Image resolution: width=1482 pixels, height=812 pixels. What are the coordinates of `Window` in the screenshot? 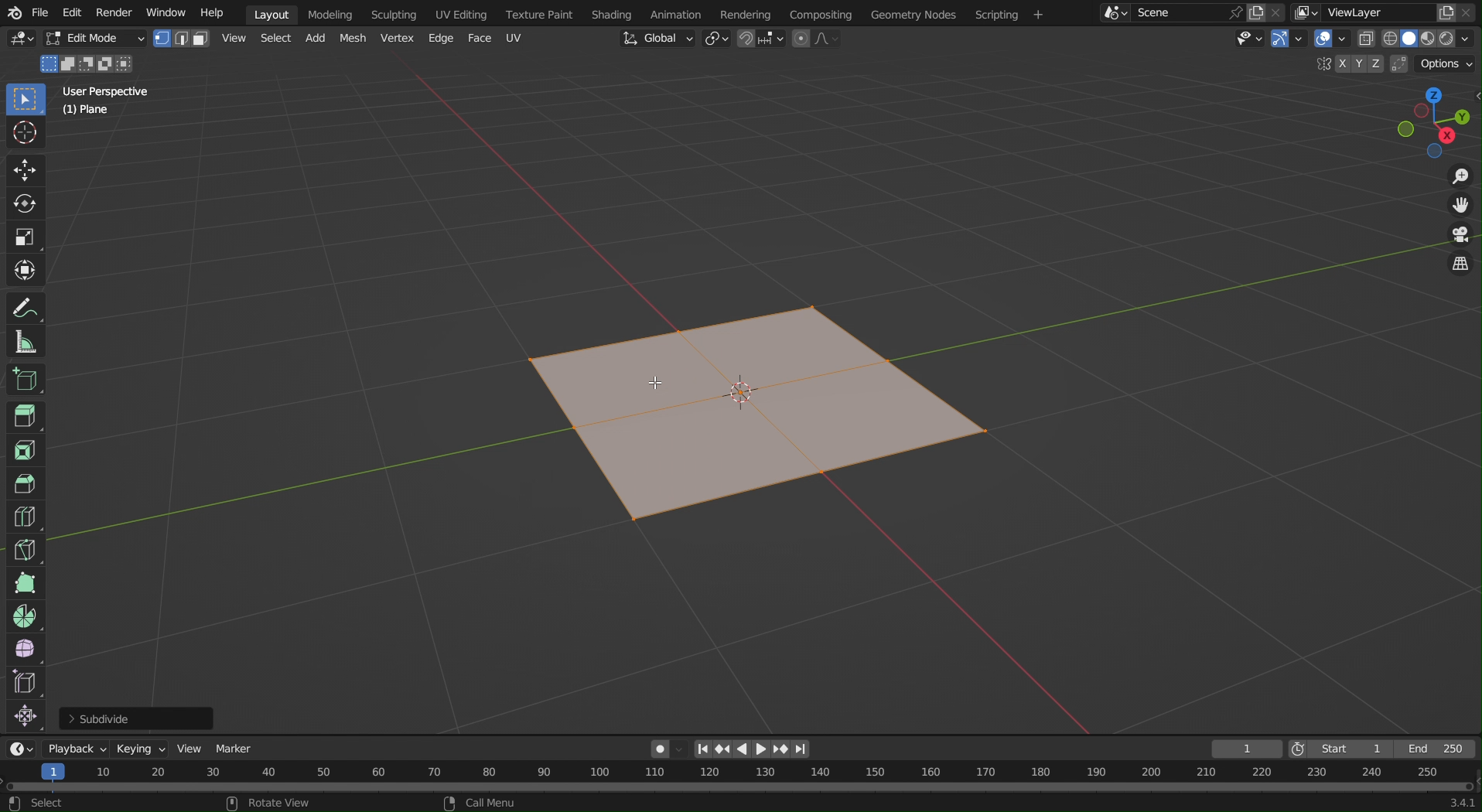 It's located at (166, 12).